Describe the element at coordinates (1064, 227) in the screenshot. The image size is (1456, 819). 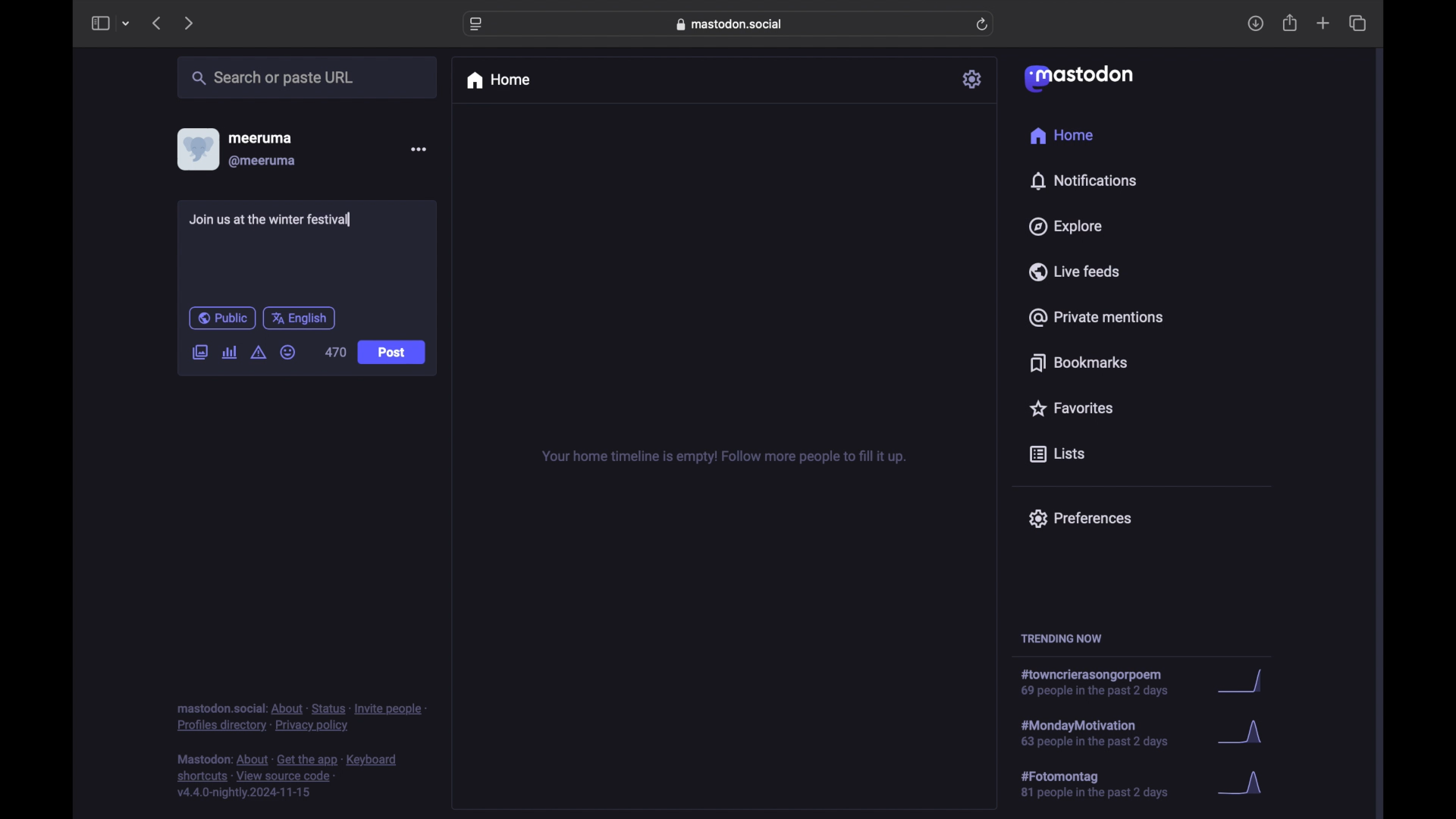
I see `explore` at that location.